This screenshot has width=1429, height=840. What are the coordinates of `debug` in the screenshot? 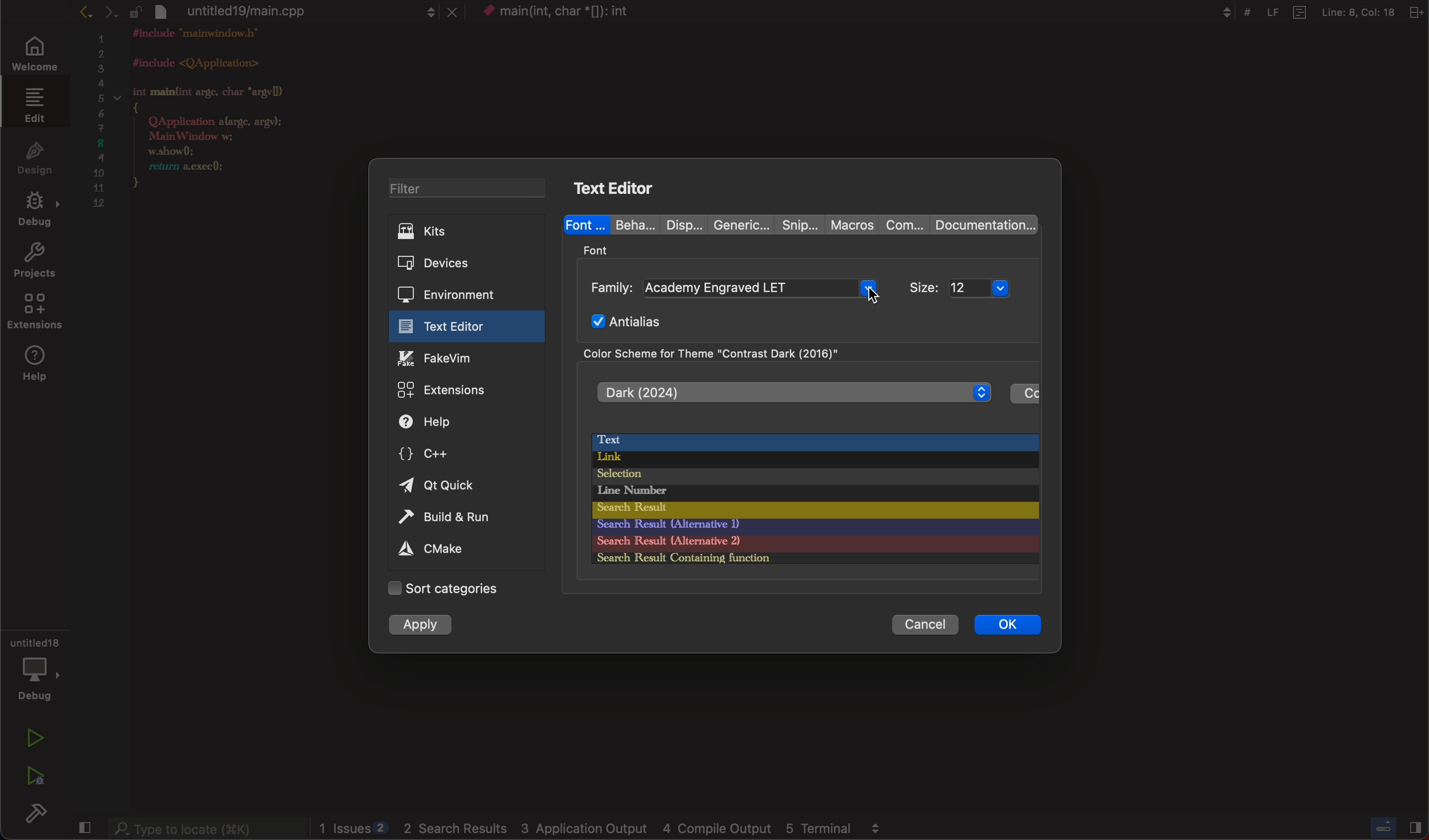 It's located at (35, 673).